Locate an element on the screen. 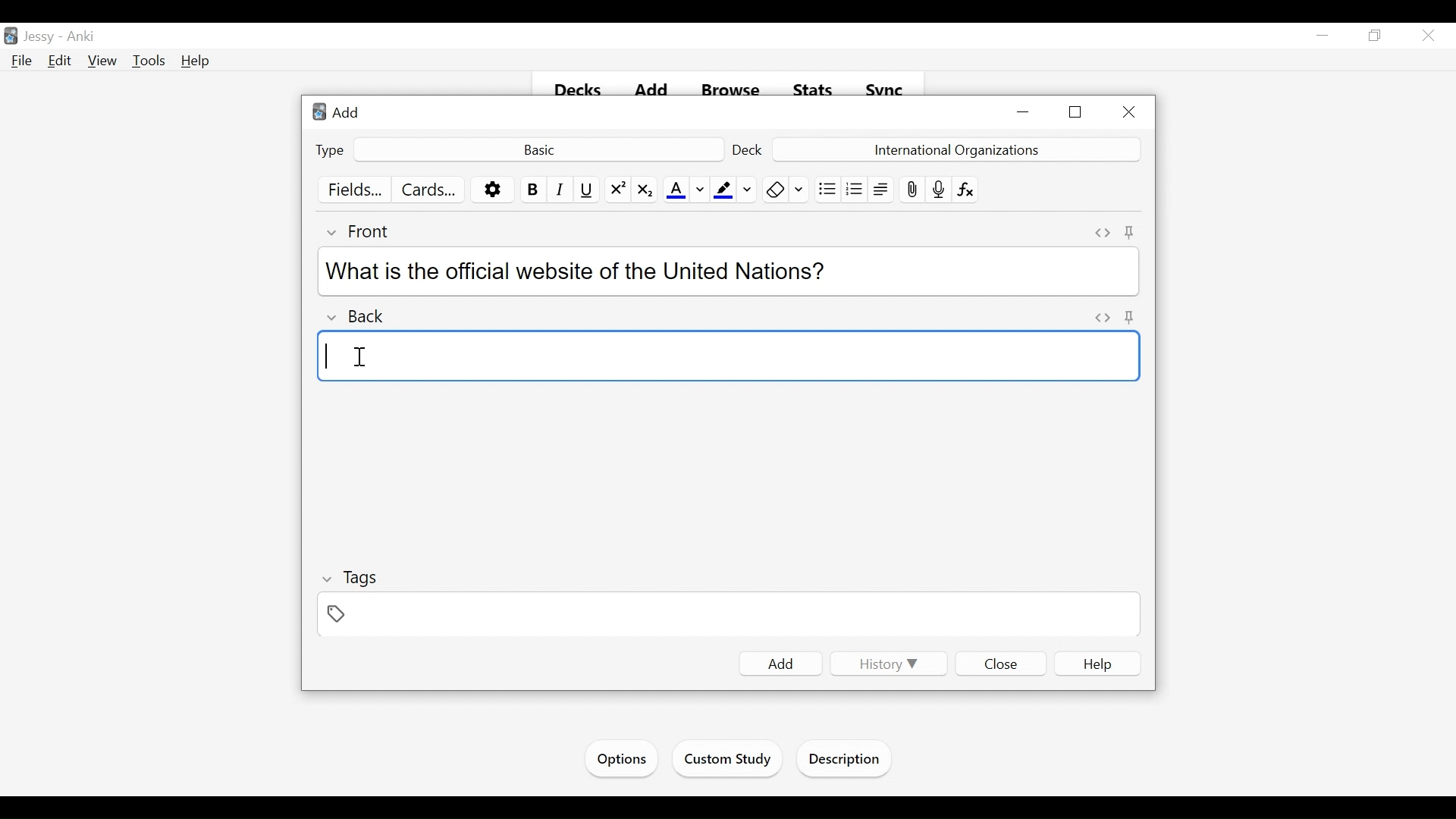 The width and height of the screenshot is (1456, 819). Add is located at coordinates (776, 664).